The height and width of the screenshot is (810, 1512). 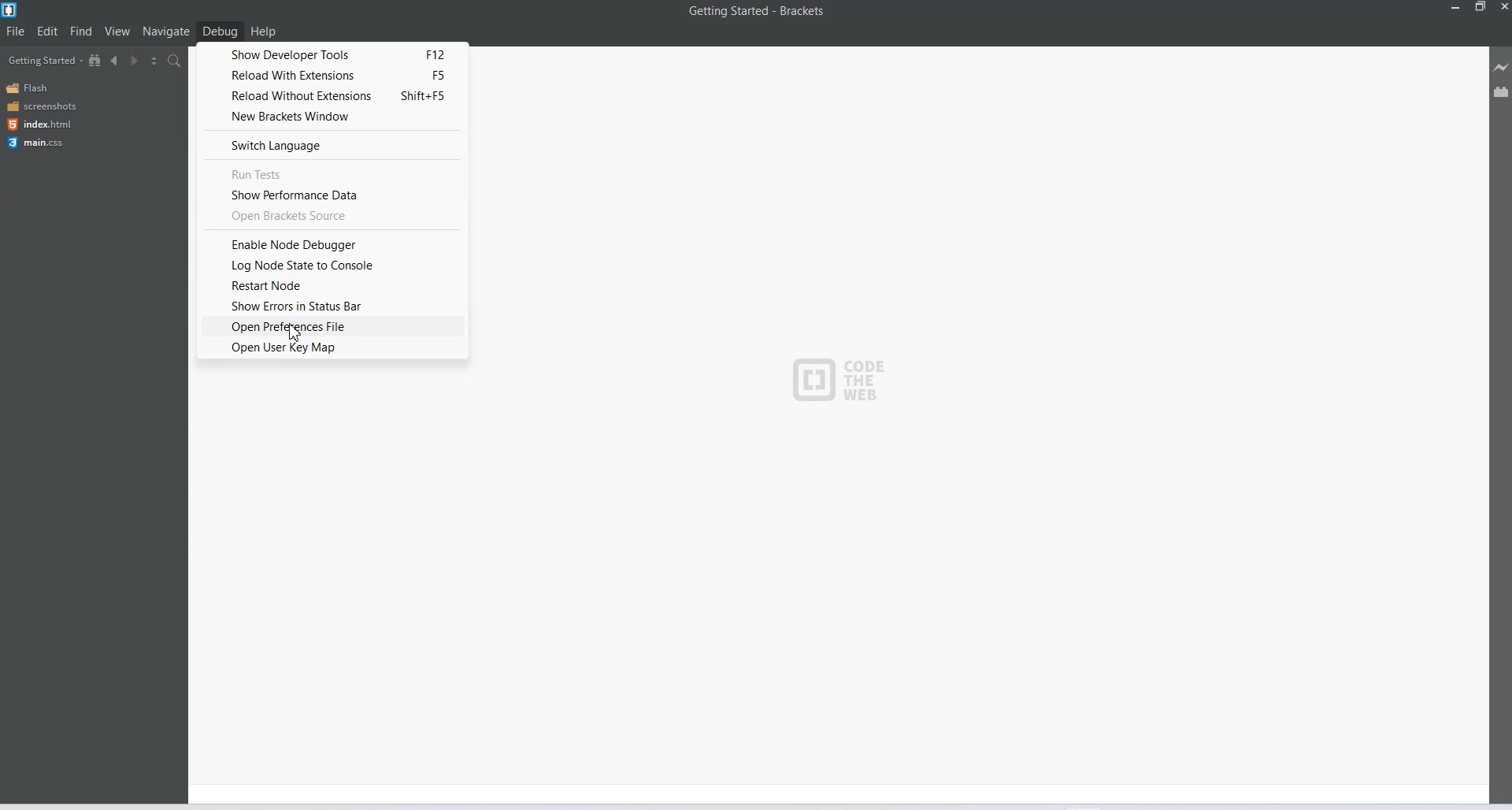 I want to click on Switch Language, so click(x=334, y=145).